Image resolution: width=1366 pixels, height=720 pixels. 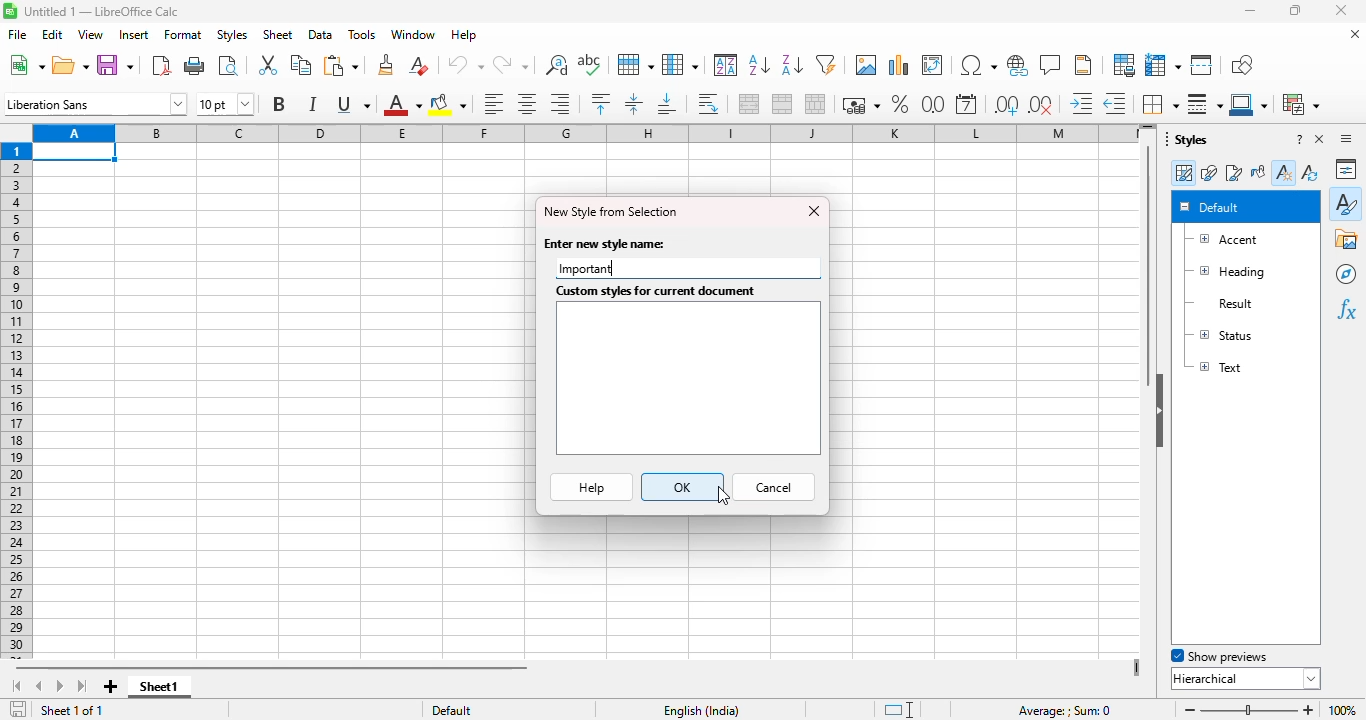 I want to click on logo, so click(x=10, y=11).